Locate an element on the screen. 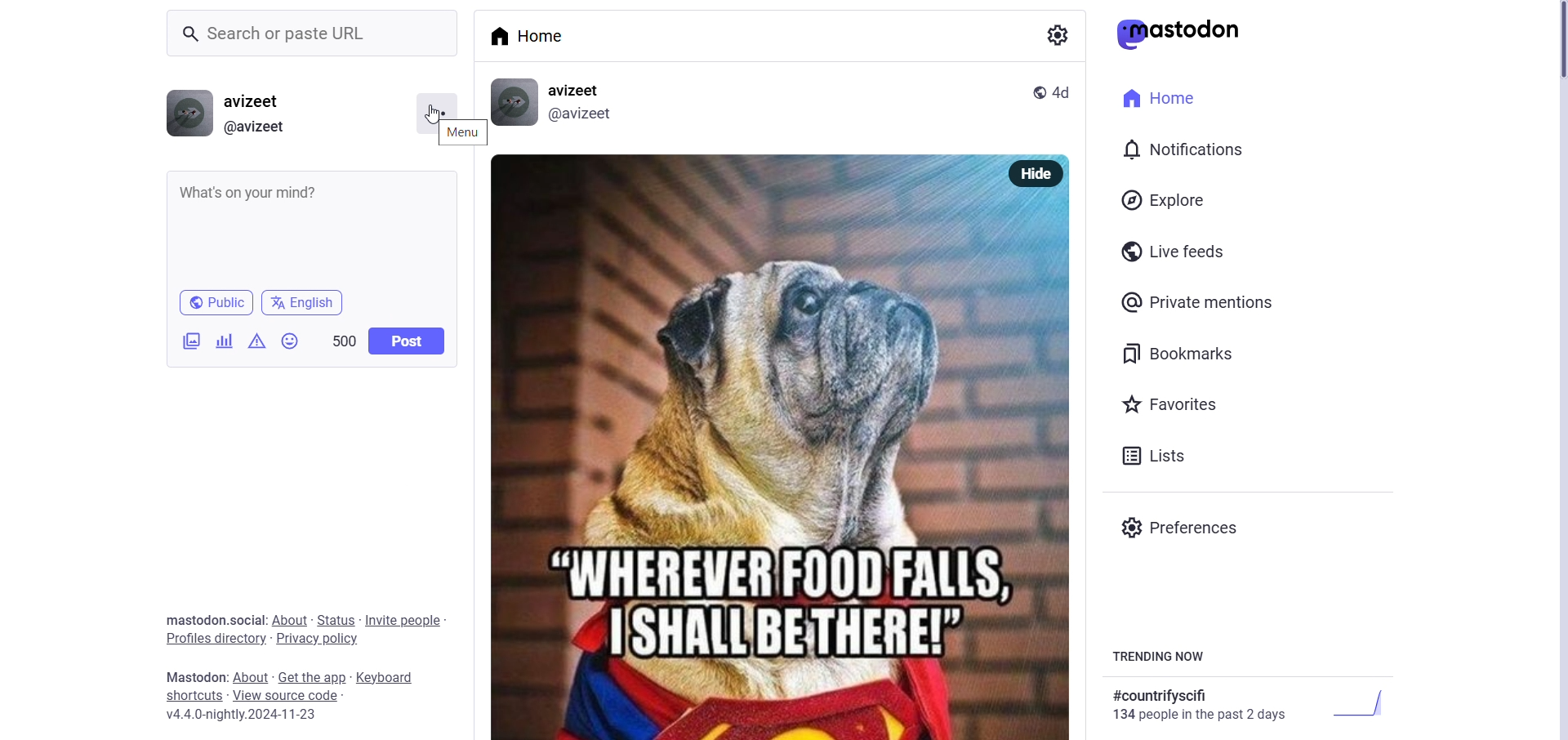 The image size is (1568, 740). about is located at coordinates (253, 676).